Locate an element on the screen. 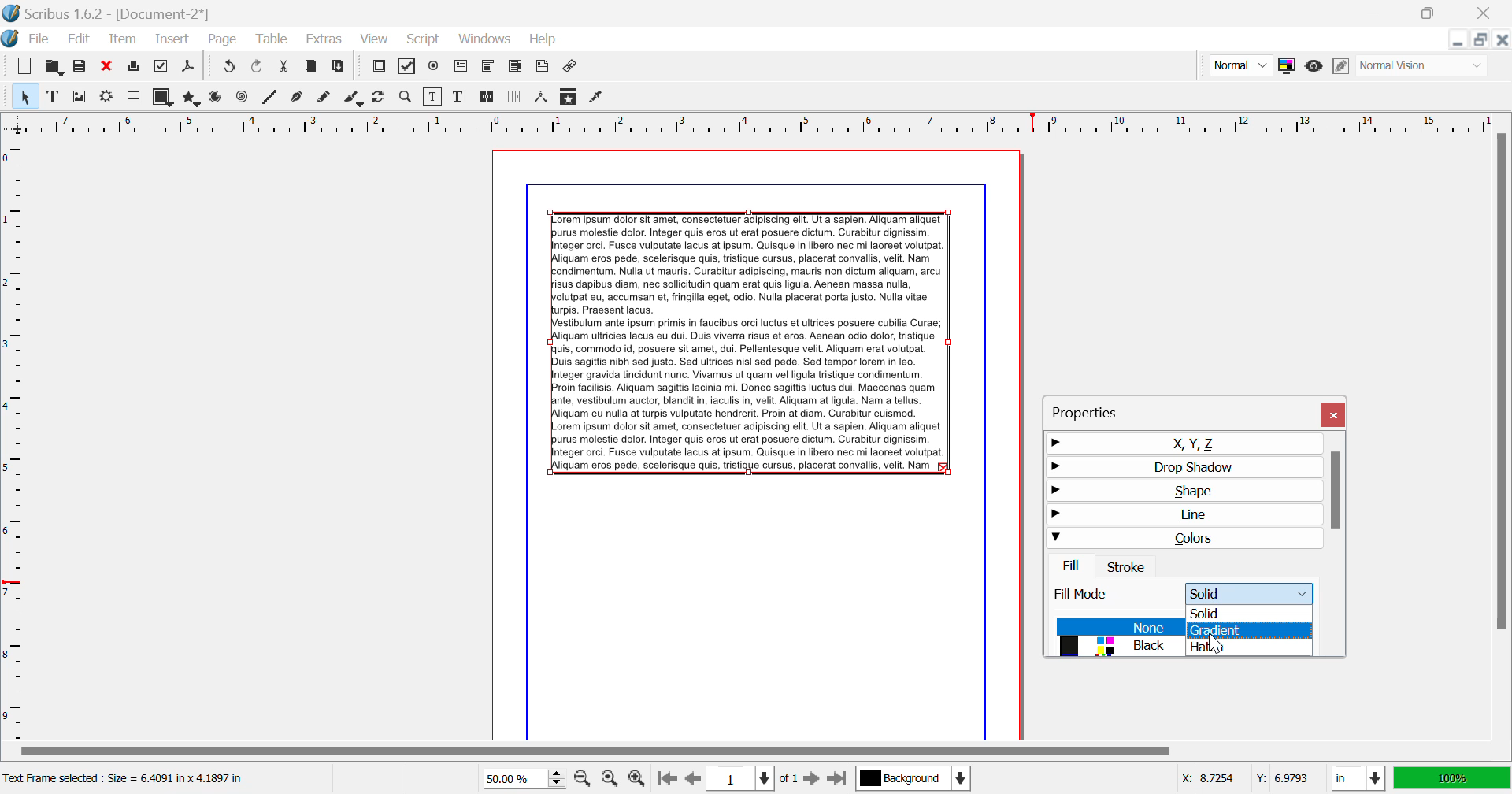 The height and width of the screenshot is (794, 1512). Zoom to 100% is located at coordinates (610, 778).